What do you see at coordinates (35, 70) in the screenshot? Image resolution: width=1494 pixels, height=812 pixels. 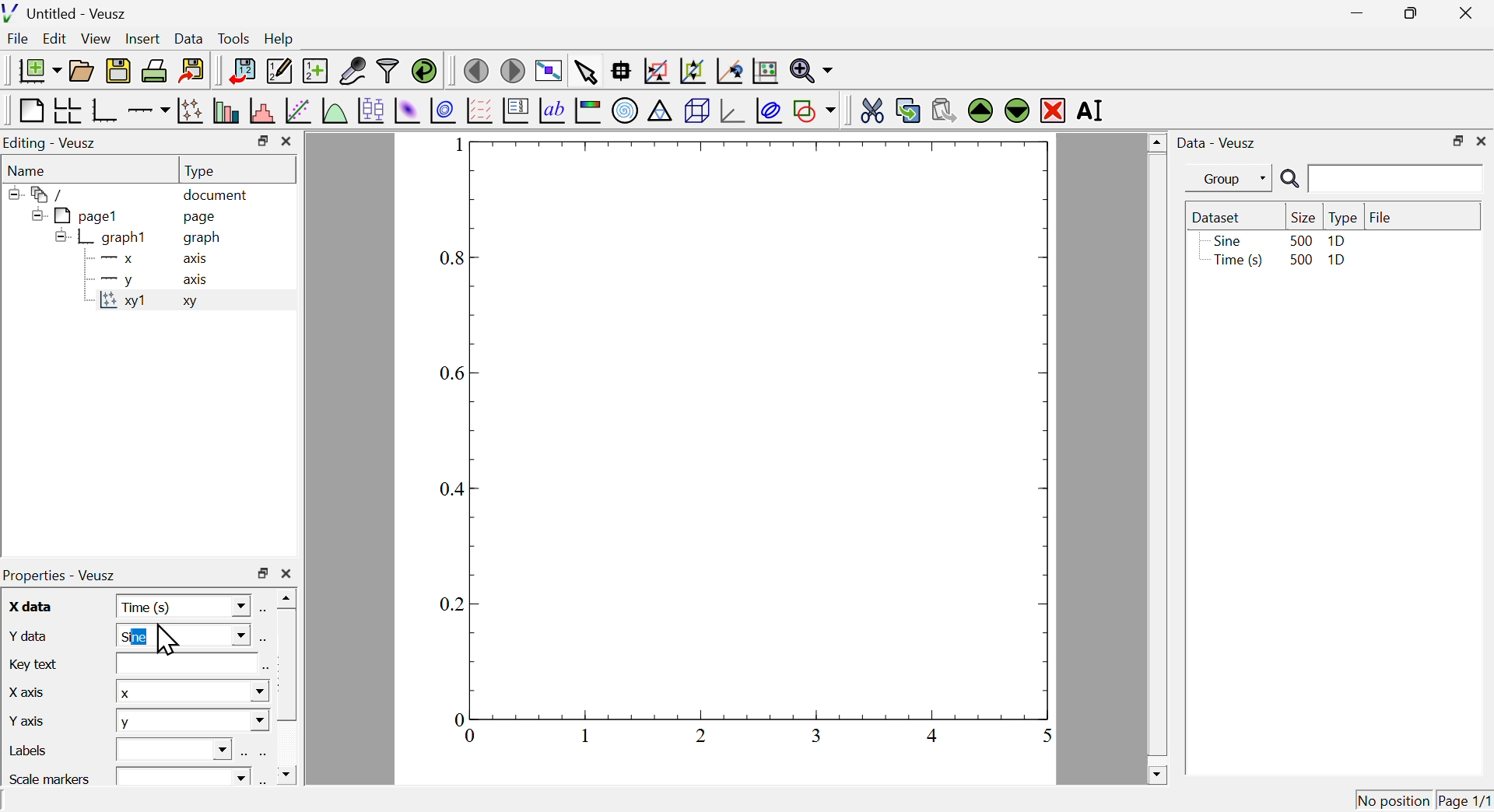 I see `new document` at bounding box center [35, 70].